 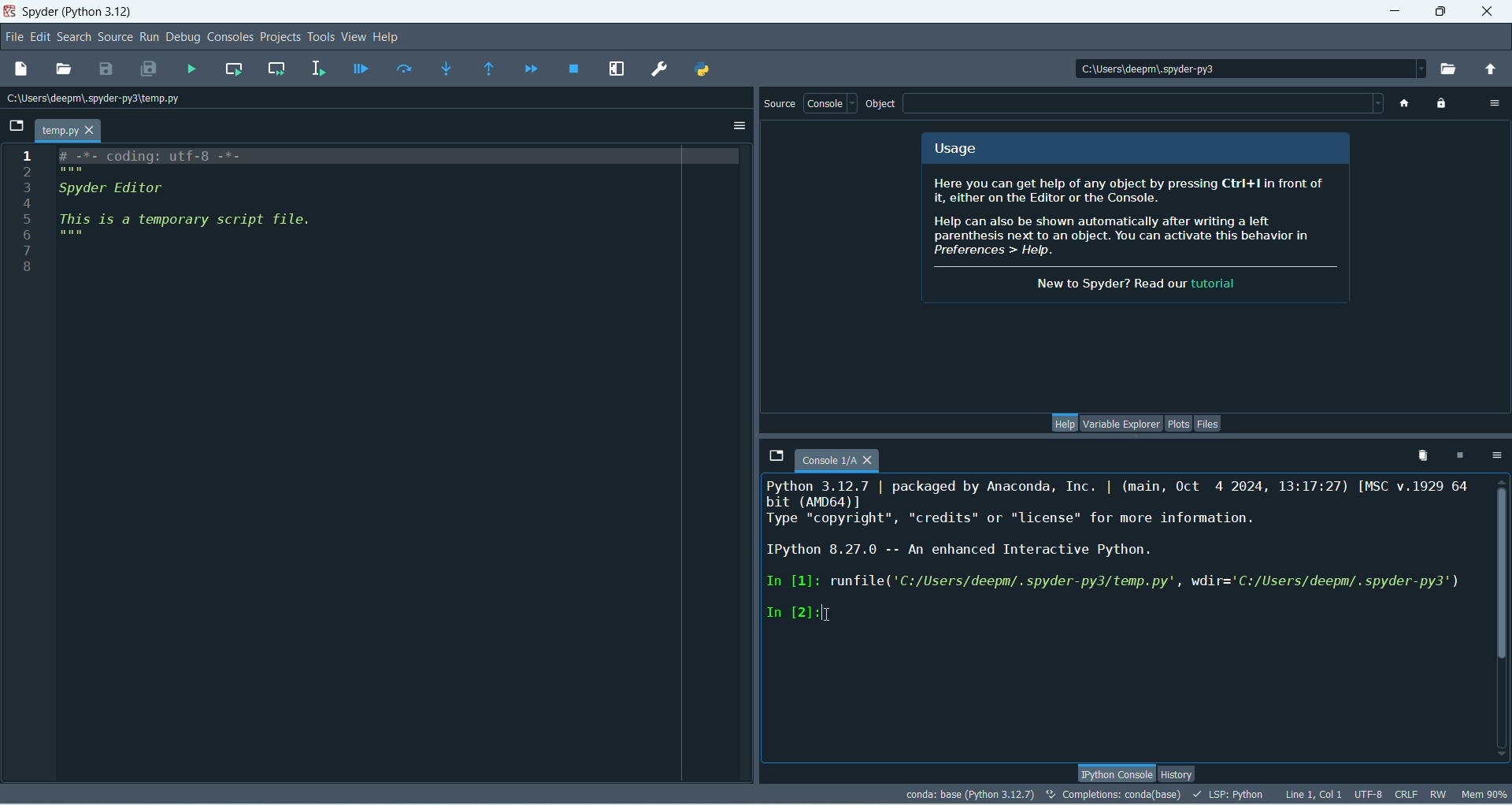 I want to click on browse tabs, so click(x=16, y=126).